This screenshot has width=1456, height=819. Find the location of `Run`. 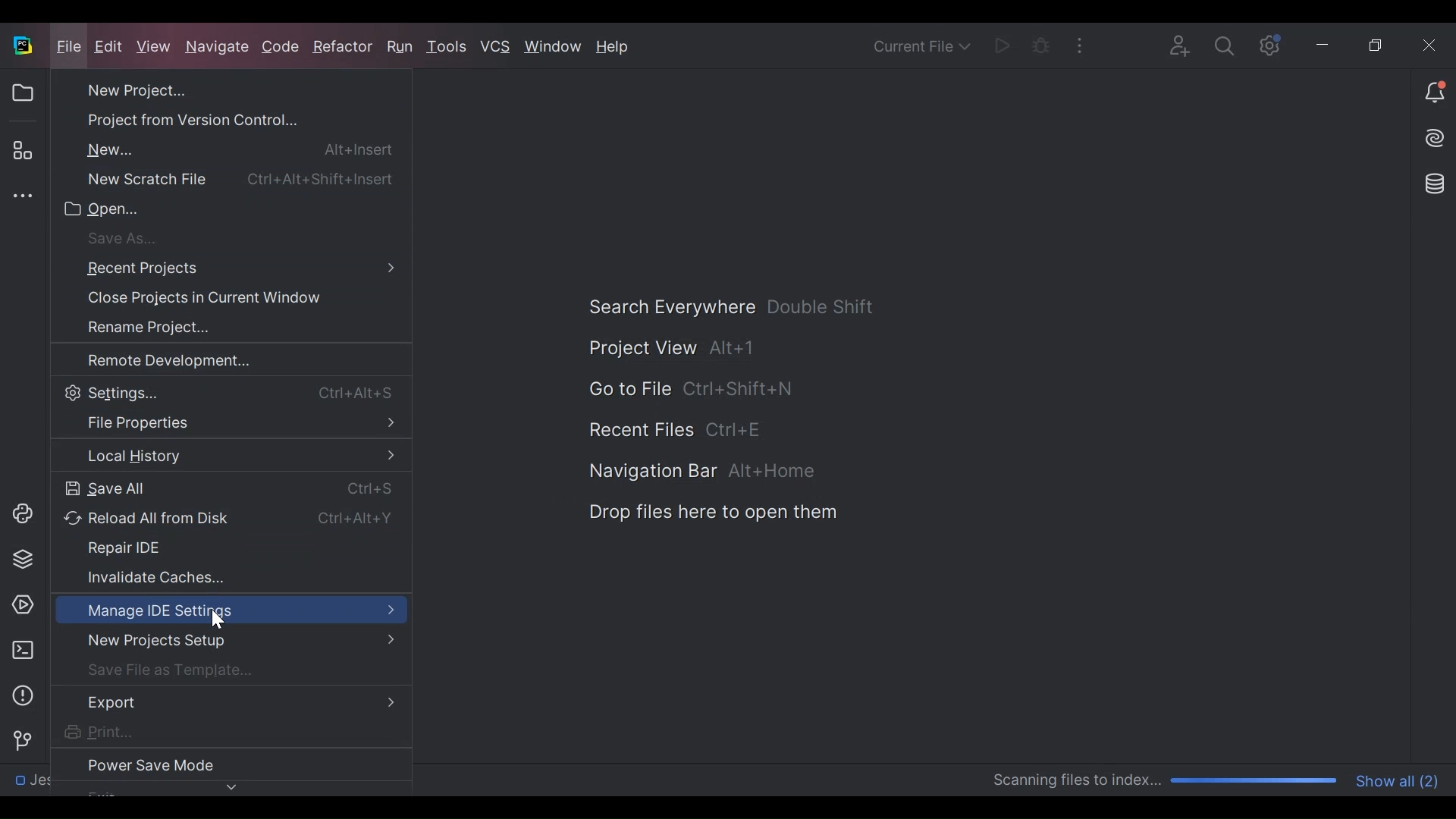

Run is located at coordinates (1001, 44).